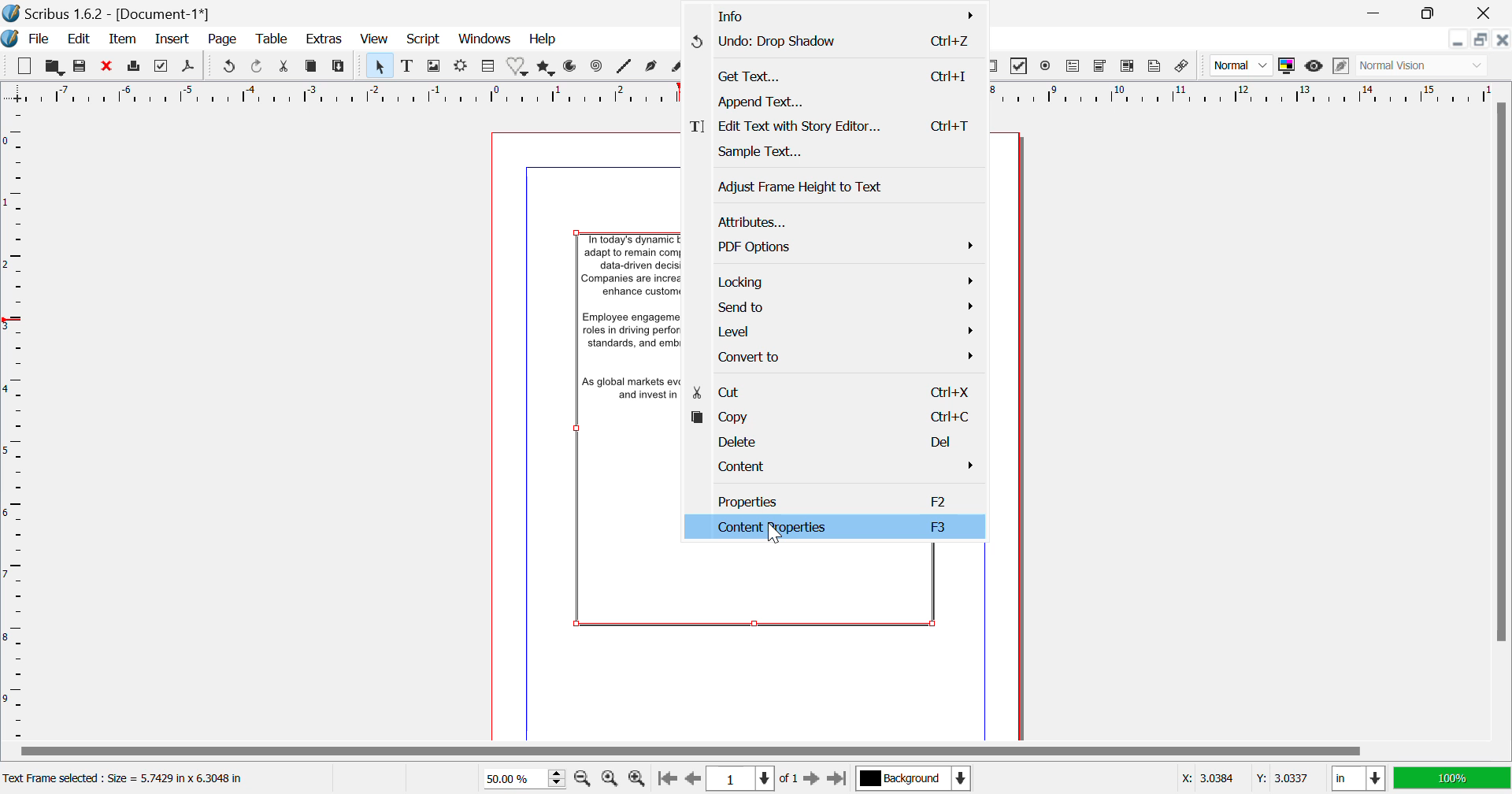 The image size is (1512, 794). I want to click on Edit in preview mode, so click(1339, 66).